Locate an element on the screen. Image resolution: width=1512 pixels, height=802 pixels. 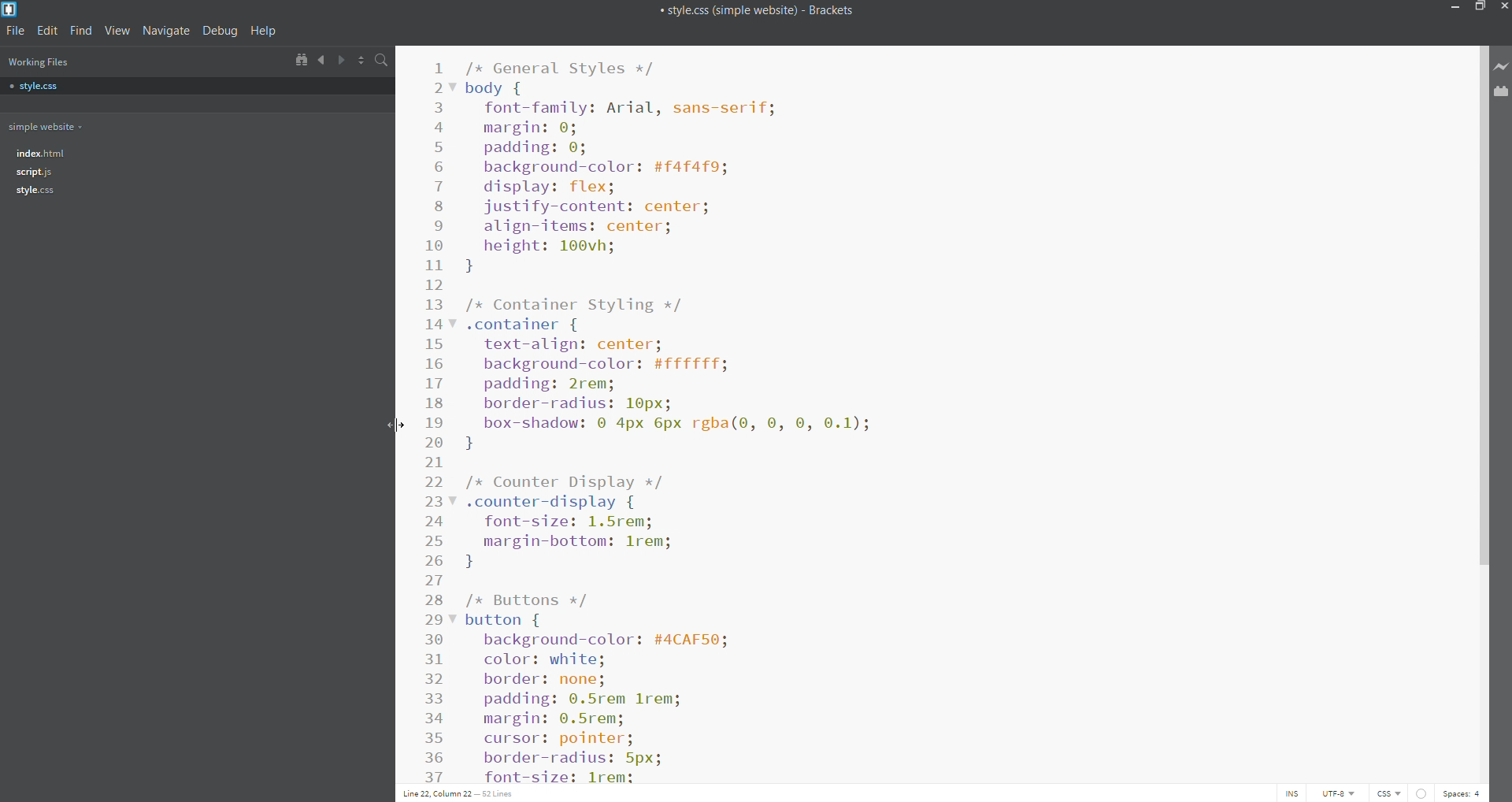
code editor is located at coordinates (961, 419).